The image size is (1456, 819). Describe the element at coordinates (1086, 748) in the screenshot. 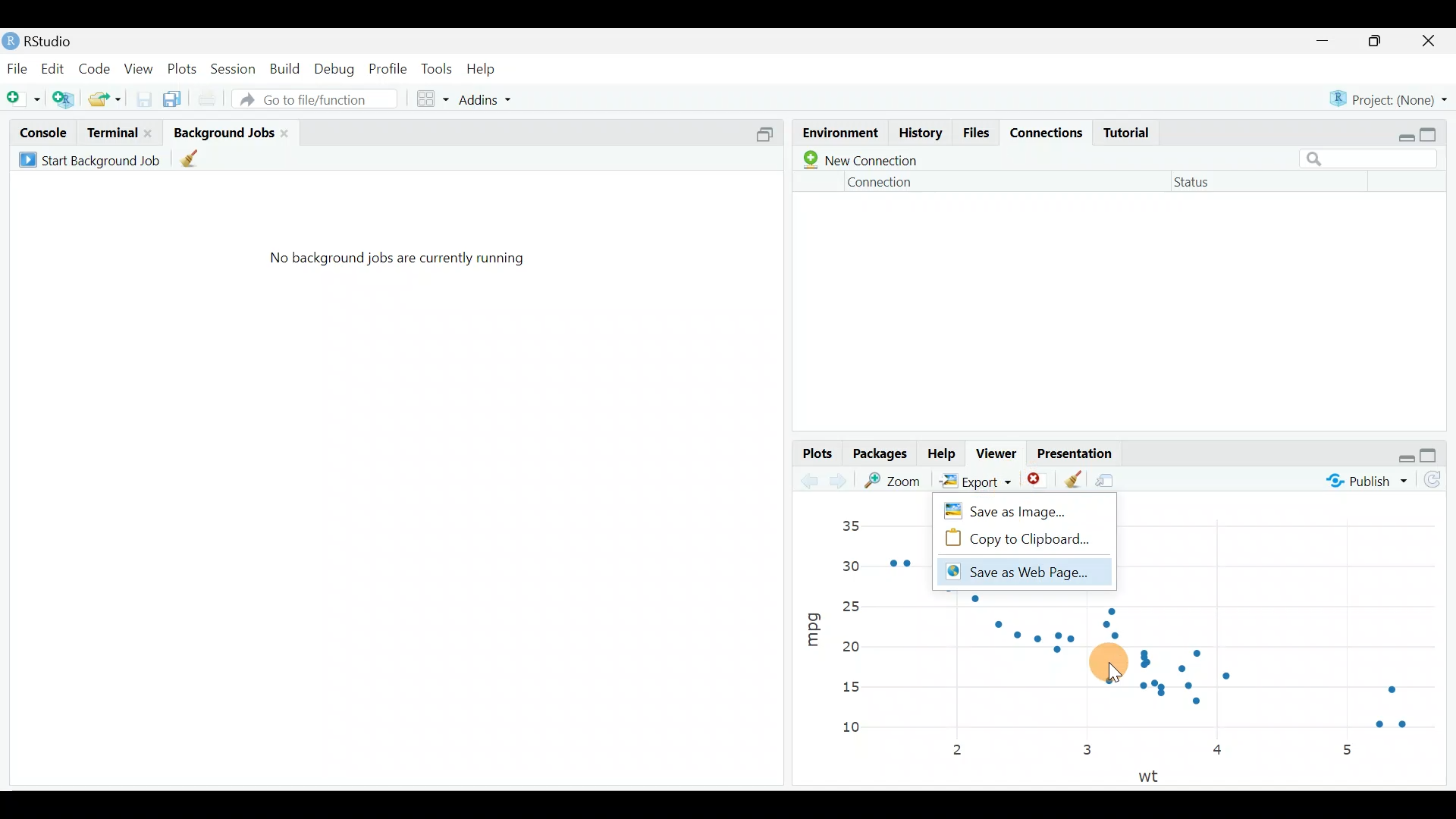

I see `3` at that location.